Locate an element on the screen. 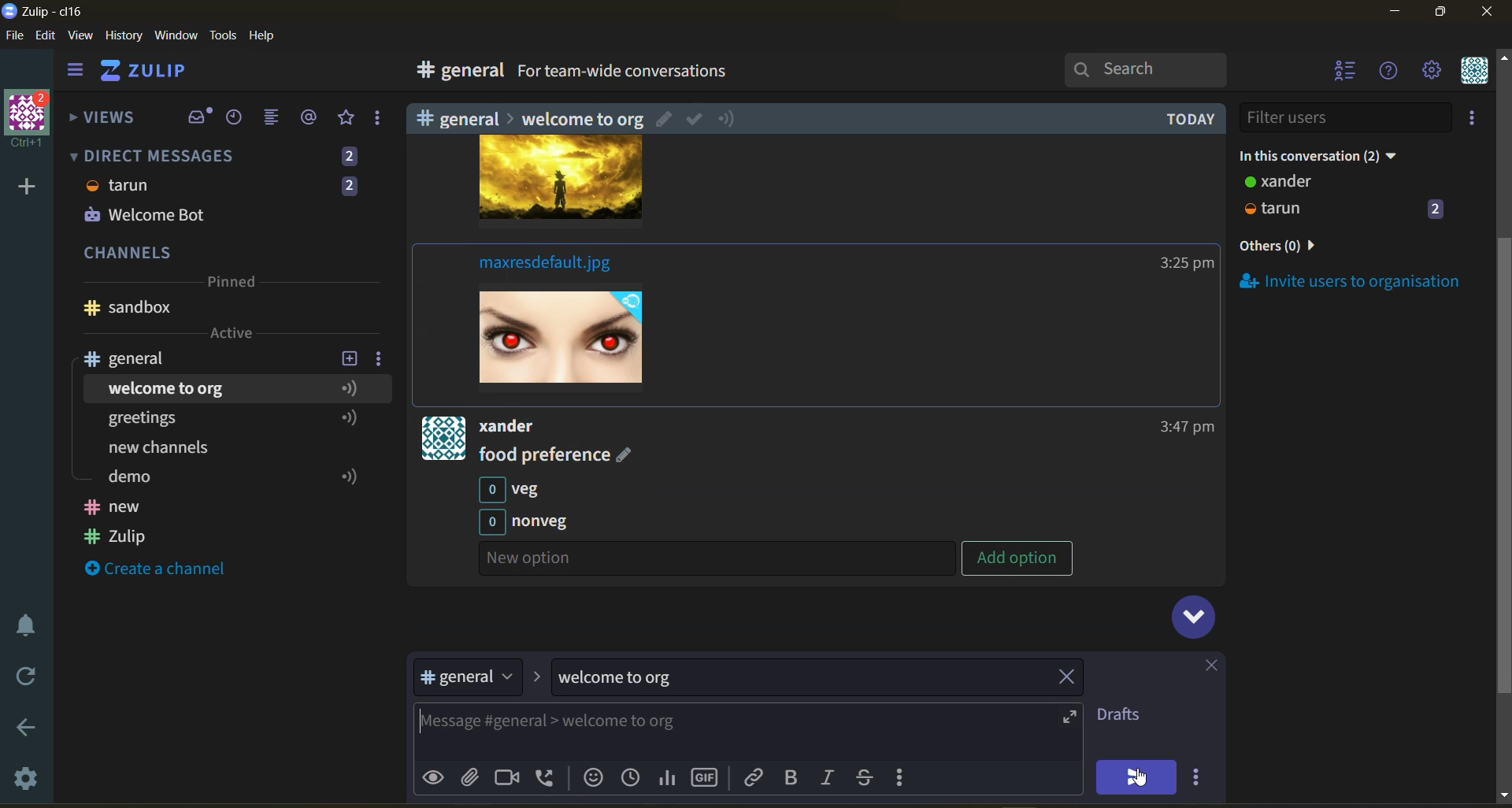 Image resolution: width=1512 pixels, height=808 pixels. add global time is located at coordinates (634, 776).